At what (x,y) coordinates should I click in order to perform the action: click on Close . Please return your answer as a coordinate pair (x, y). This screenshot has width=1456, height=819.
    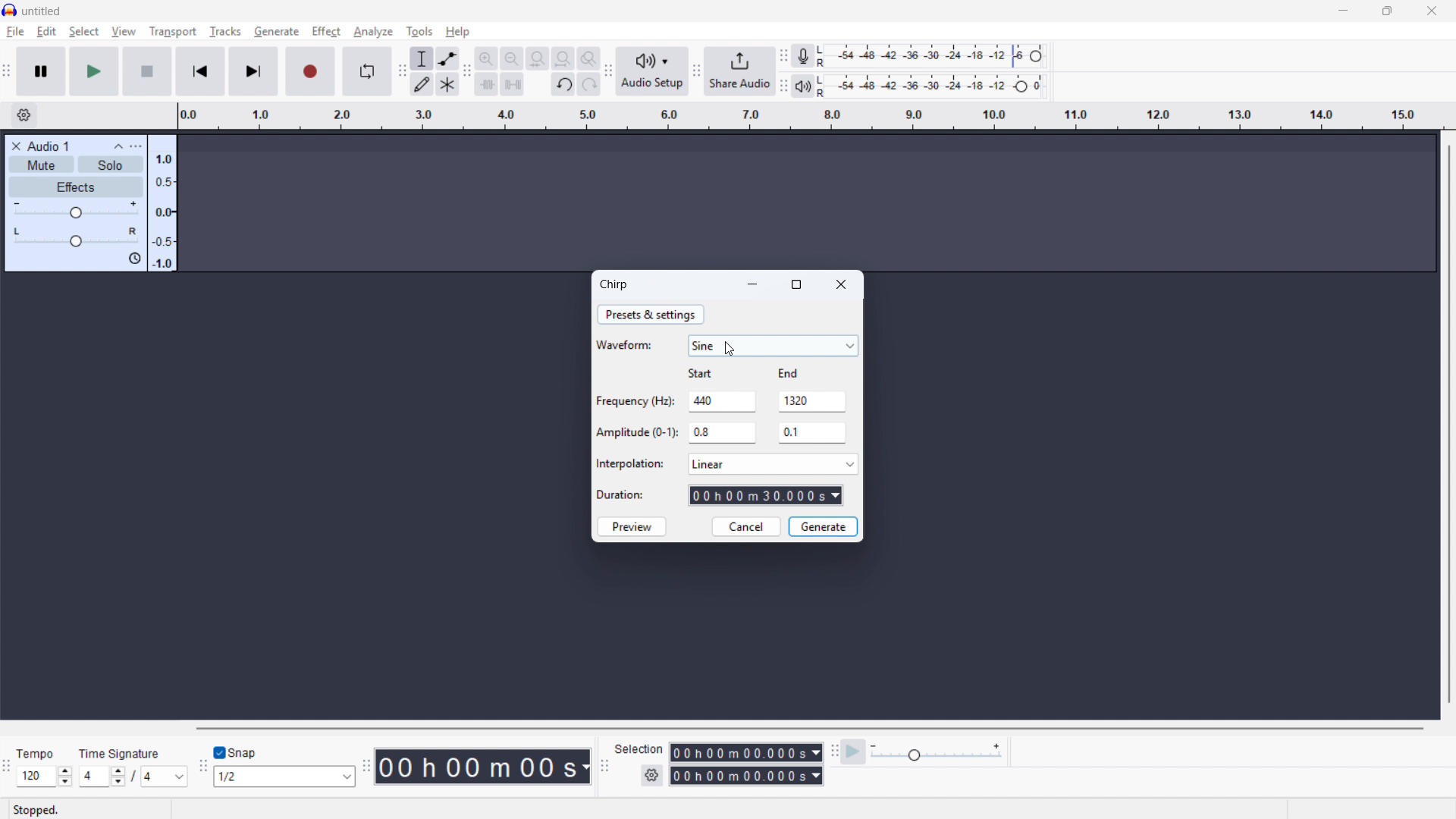
    Looking at the image, I should click on (841, 284).